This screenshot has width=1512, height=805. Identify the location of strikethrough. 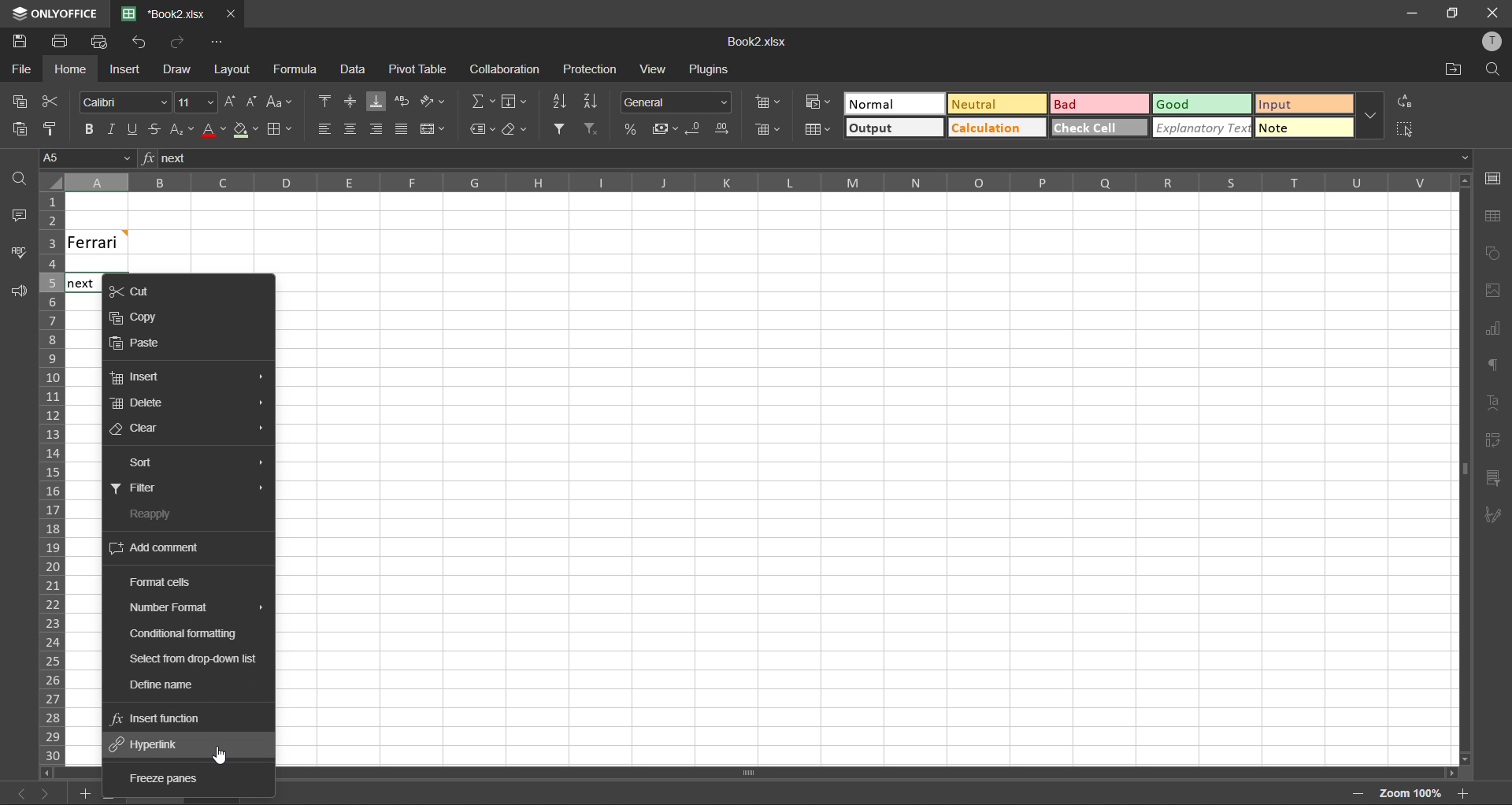
(152, 129).